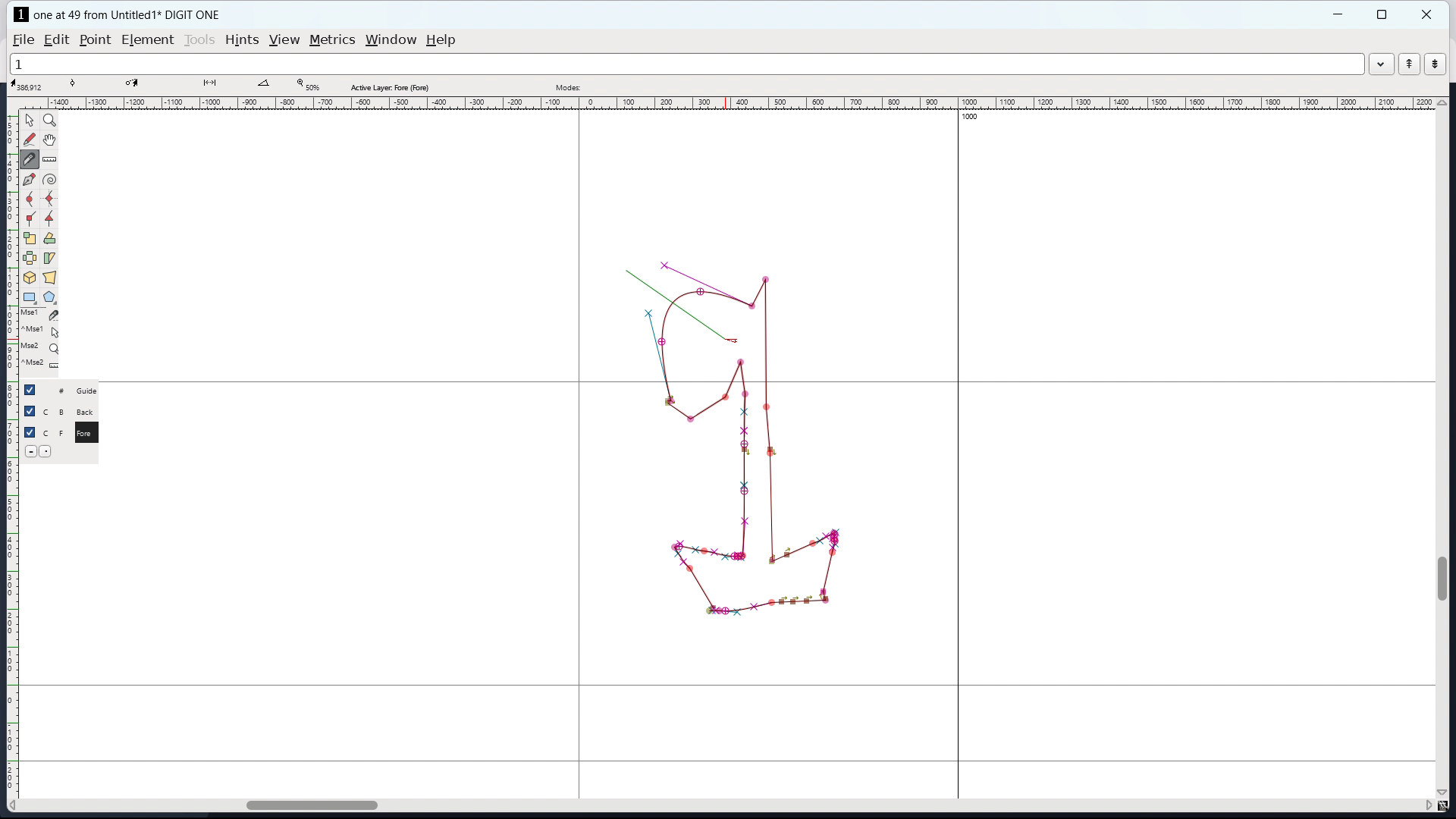 The width and height of the screenshot is (1456, 819). I want to click on element, so click(147, 39).